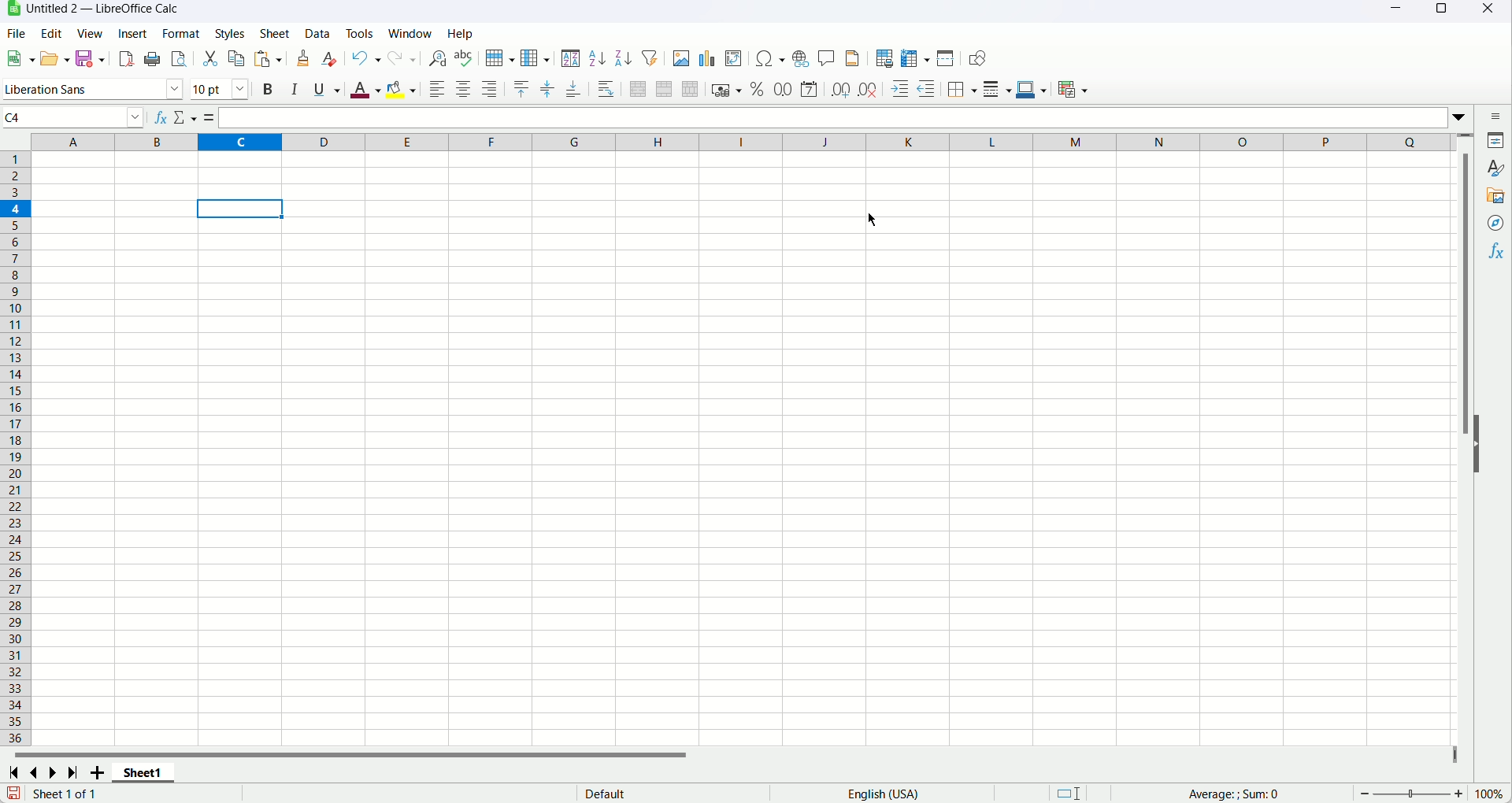 This screenshot has width=1512, height=803. What do you see at coordinates (36, 772) in the screenshot?
I see `Previous sheet` at bounding box center [36, 772].